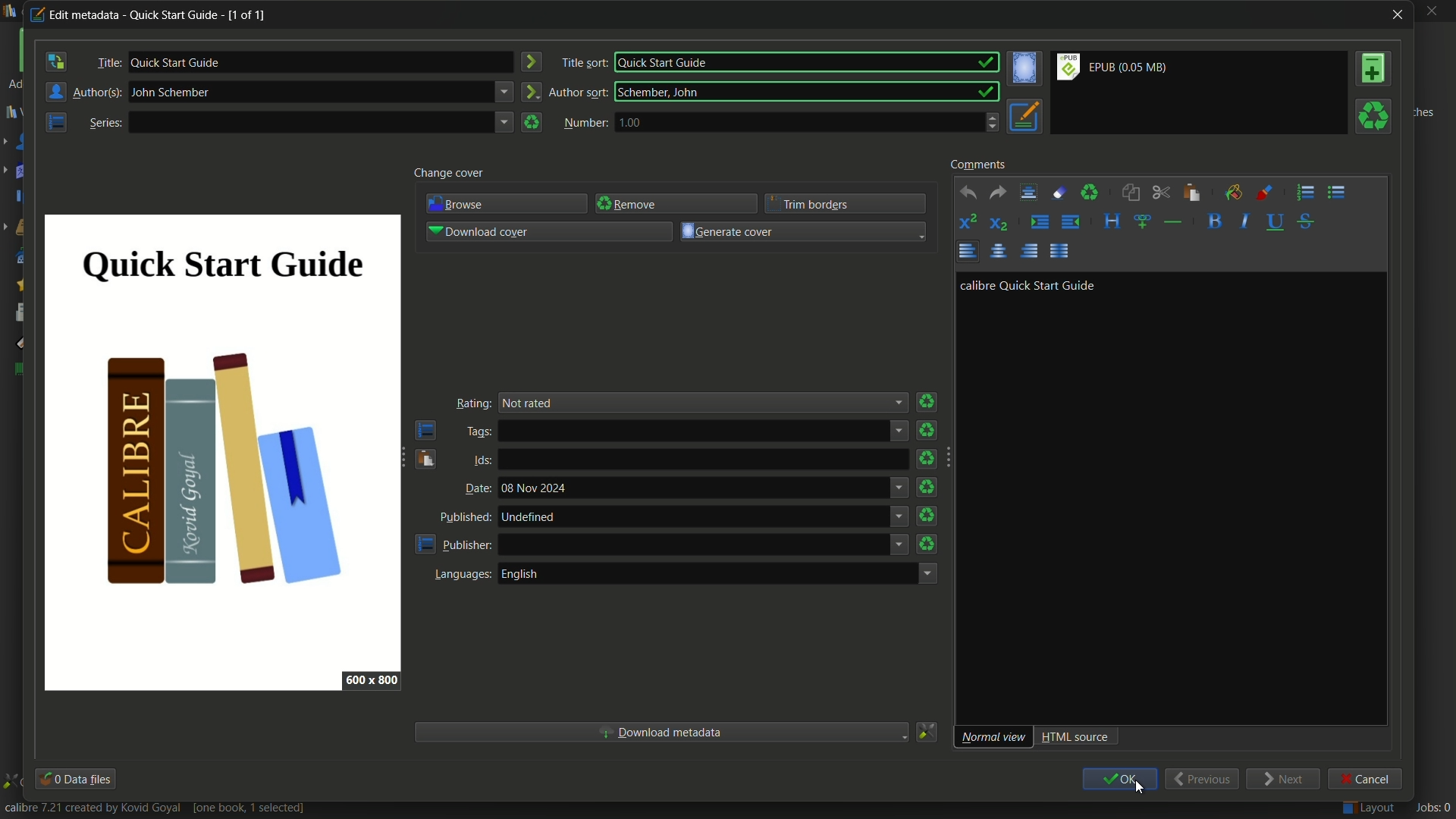 The width and height of the screenshot is (1456, 819). Describe the element at coordinates (1163, 193) in the screenshot. I see `cut` at that location.